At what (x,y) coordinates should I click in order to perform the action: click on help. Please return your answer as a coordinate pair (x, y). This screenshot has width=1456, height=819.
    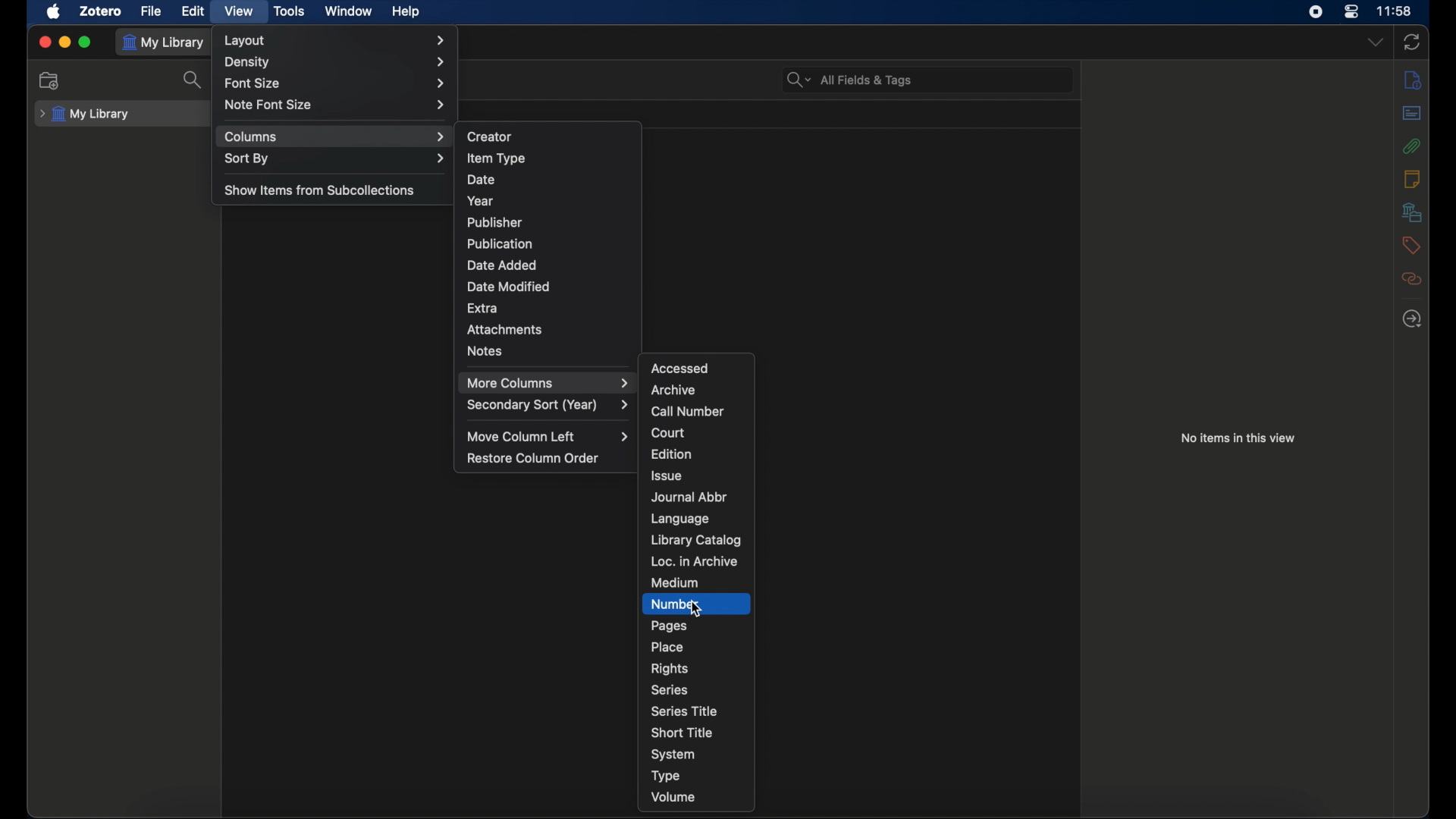
    Looking at the image, I should click on (406, 12).